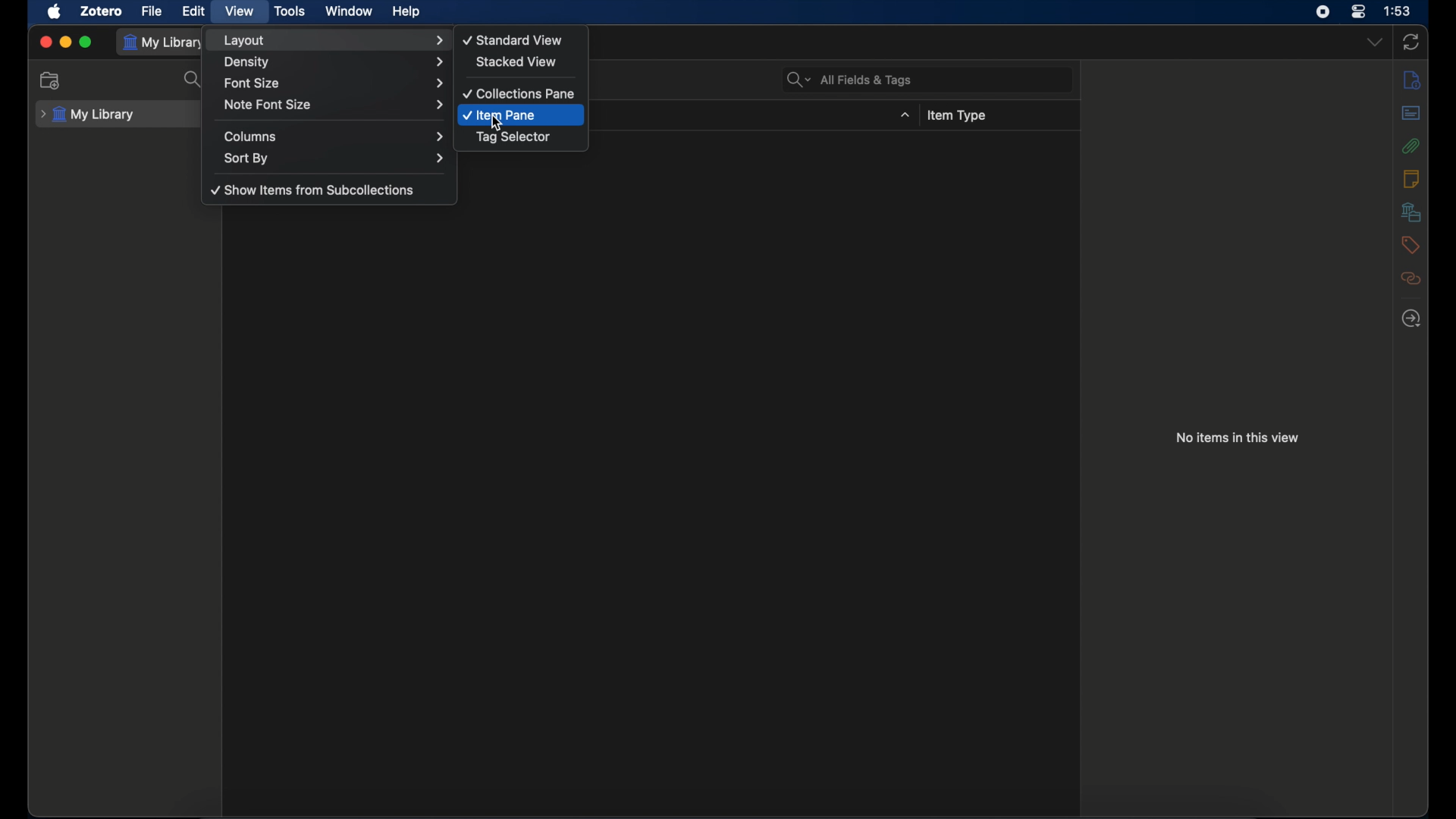 The height and width of the screenshot is (819, 1456). Describe the element at coordinates (514, 39) in the screenshot. I see `standard view` at that location.